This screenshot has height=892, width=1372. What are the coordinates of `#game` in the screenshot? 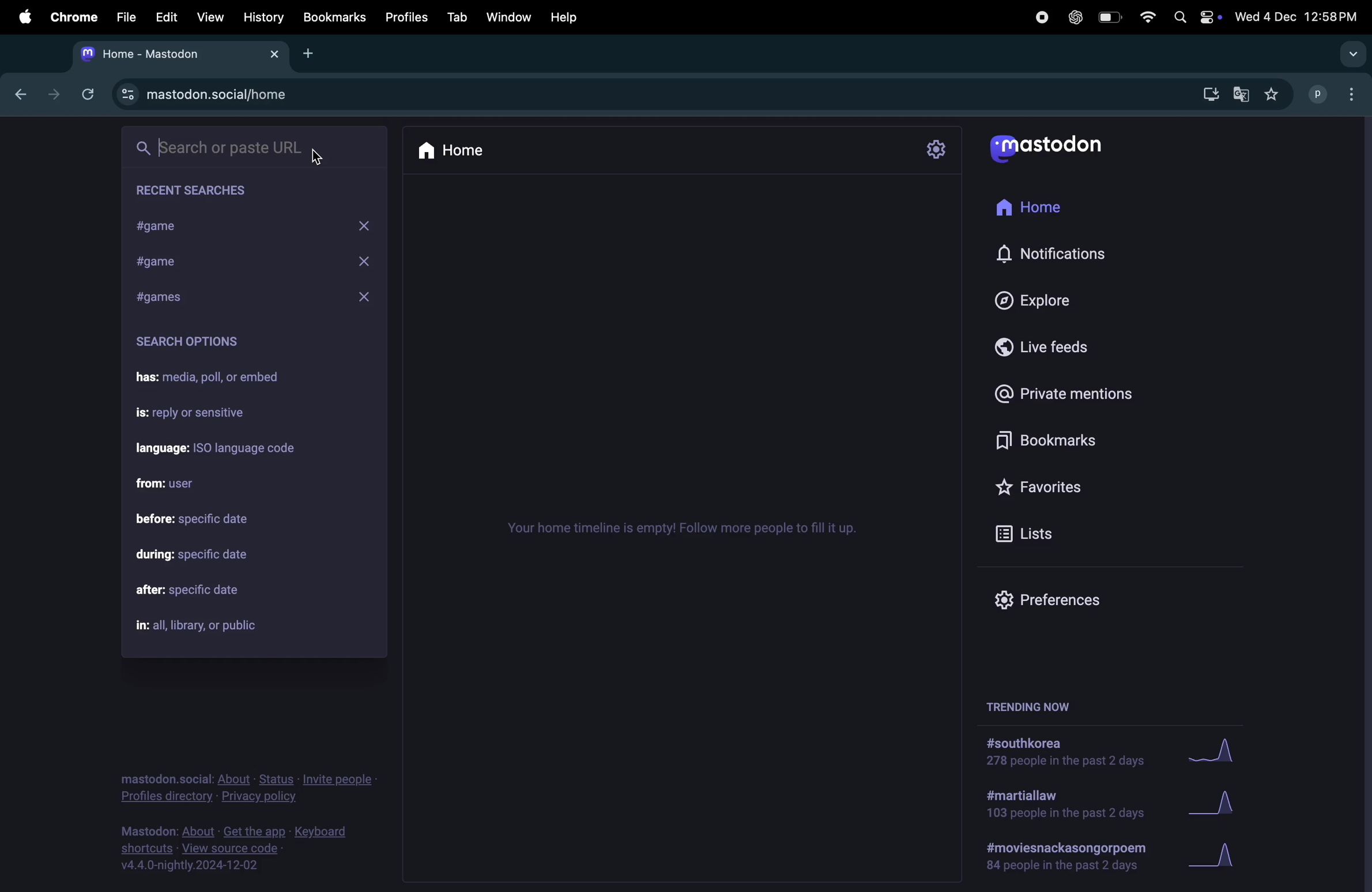 It's located at (205, 227).